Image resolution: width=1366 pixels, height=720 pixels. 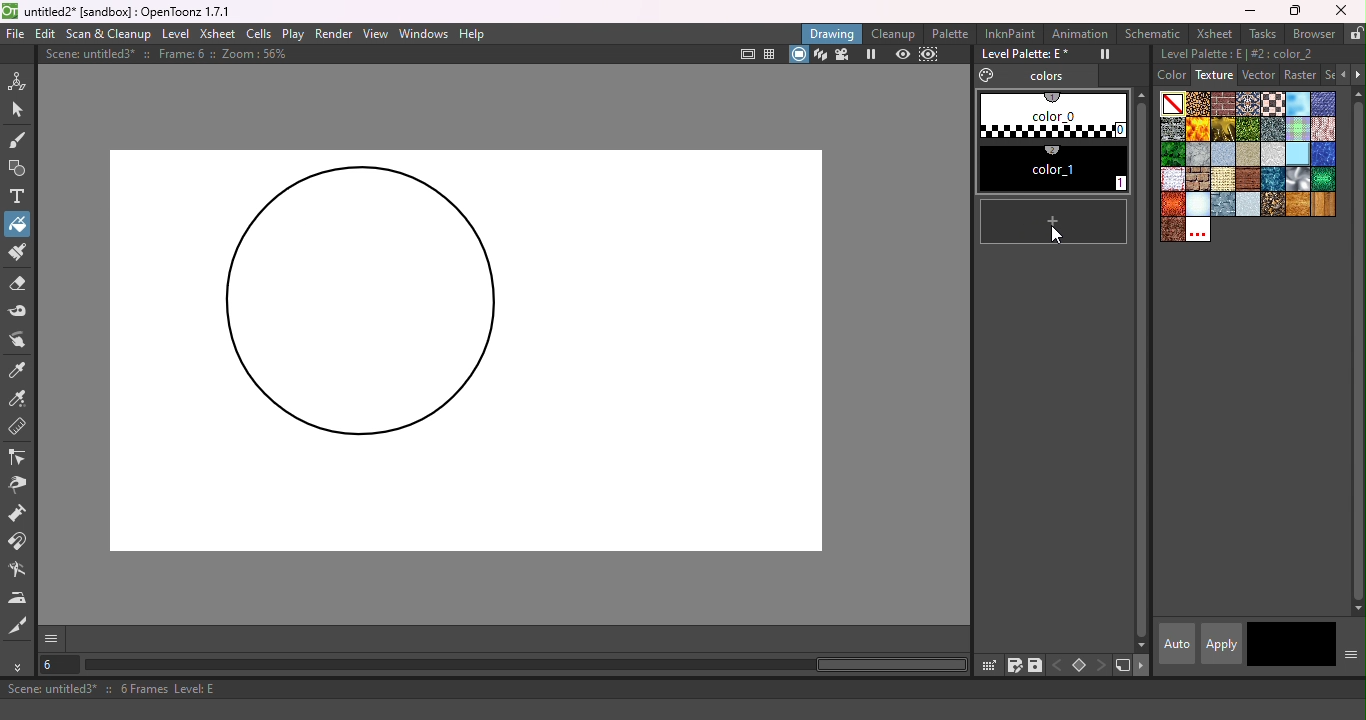 I want to click on paper 1.bmp, so click(x=1225, y=154).